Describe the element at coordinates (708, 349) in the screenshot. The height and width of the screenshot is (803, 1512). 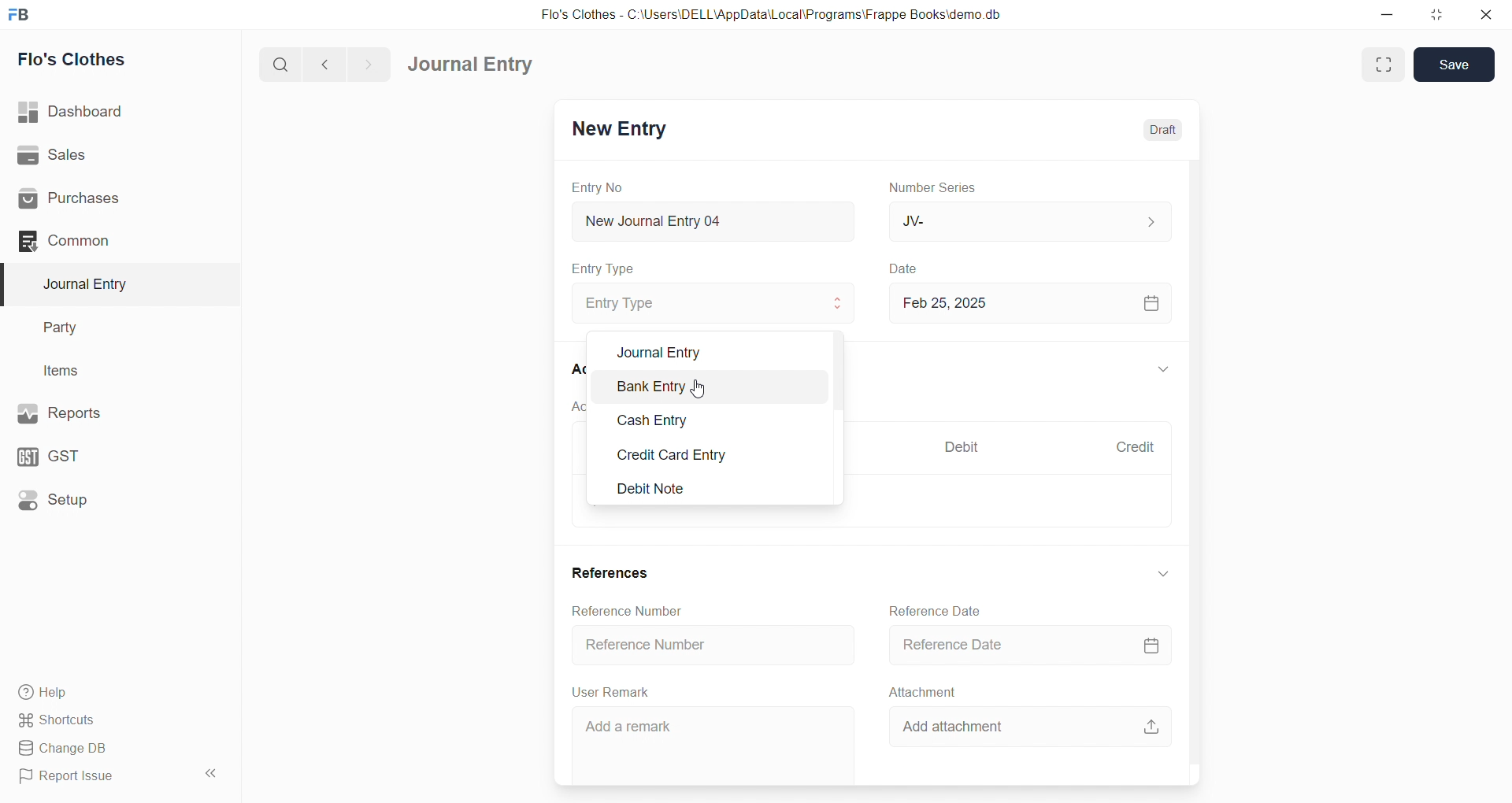
I see `Journal Entry` at that location.